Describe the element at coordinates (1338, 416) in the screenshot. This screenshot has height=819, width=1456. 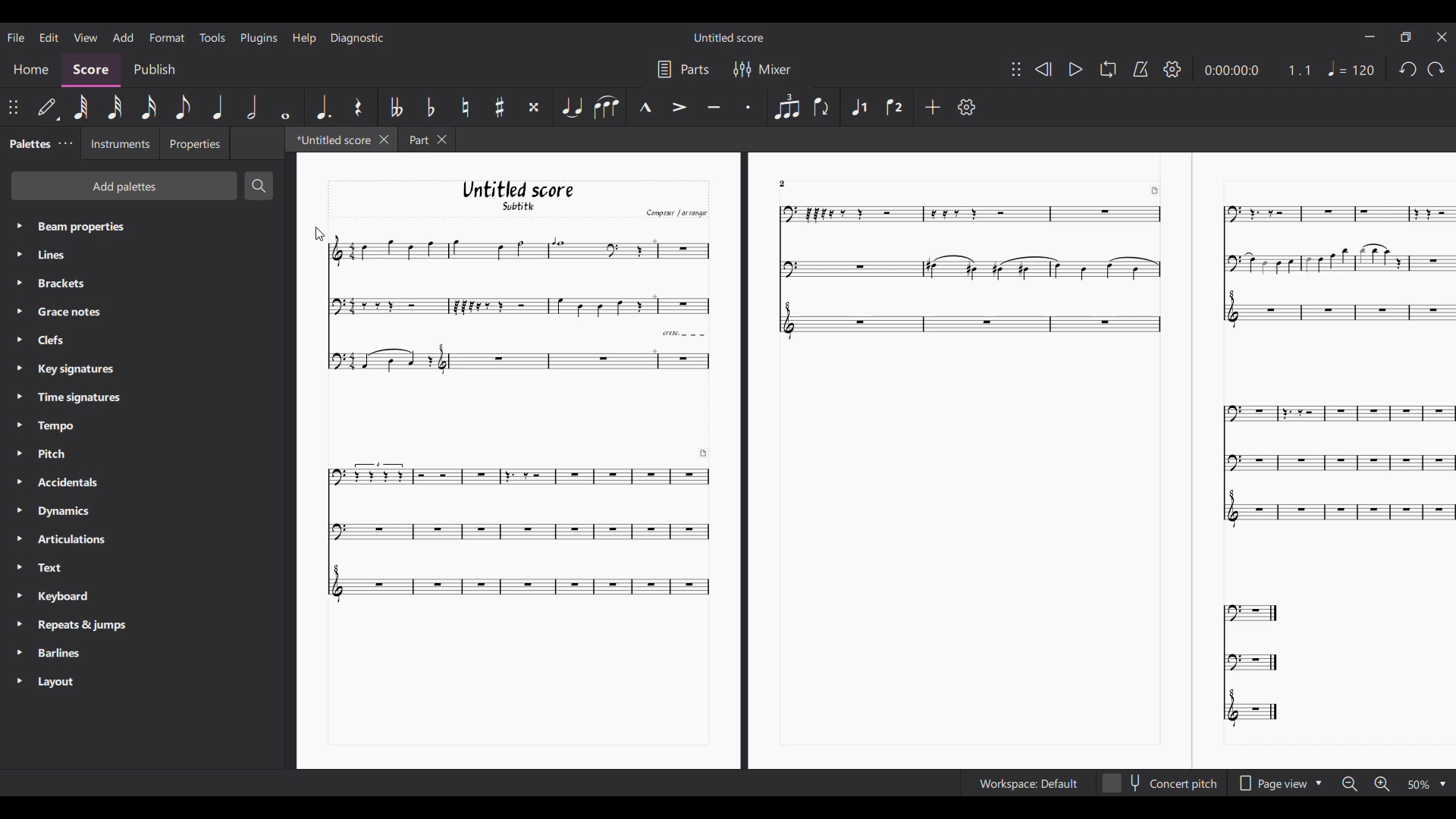
I see `` at that location.